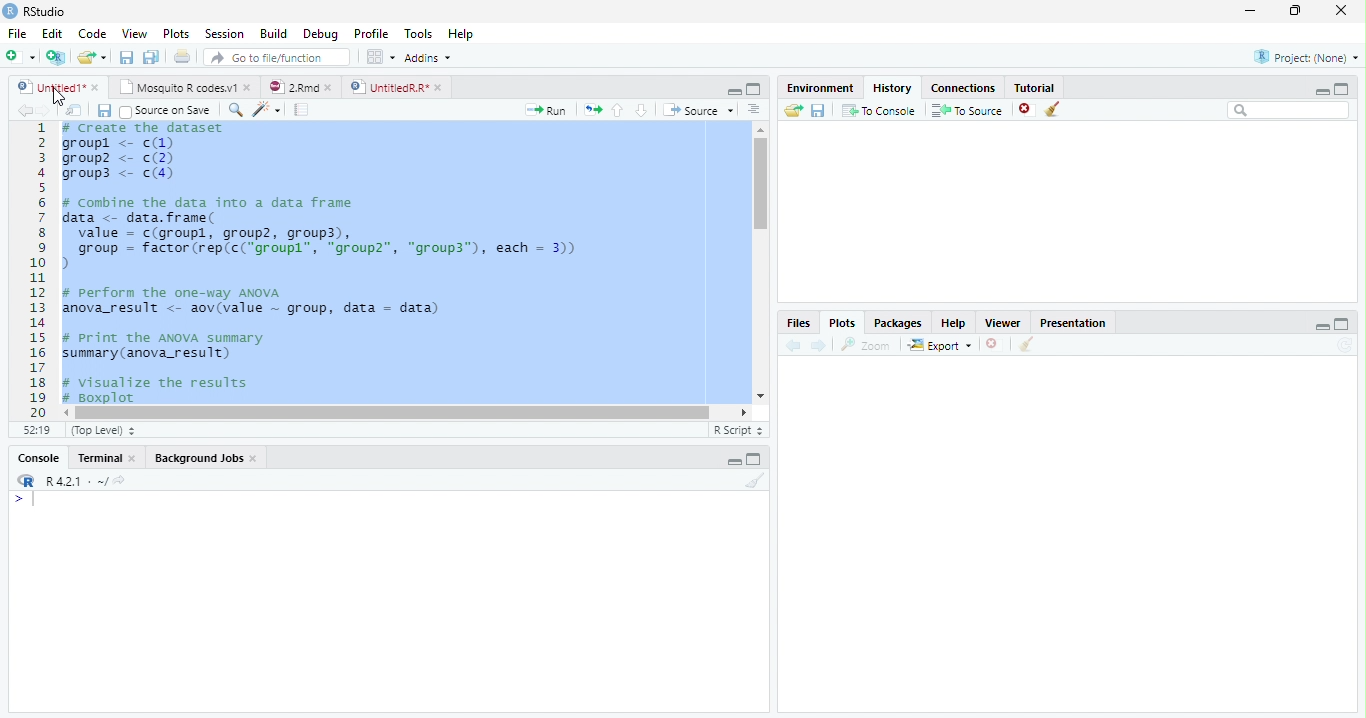  I want to click on Save All open documents, so click(150, 57).